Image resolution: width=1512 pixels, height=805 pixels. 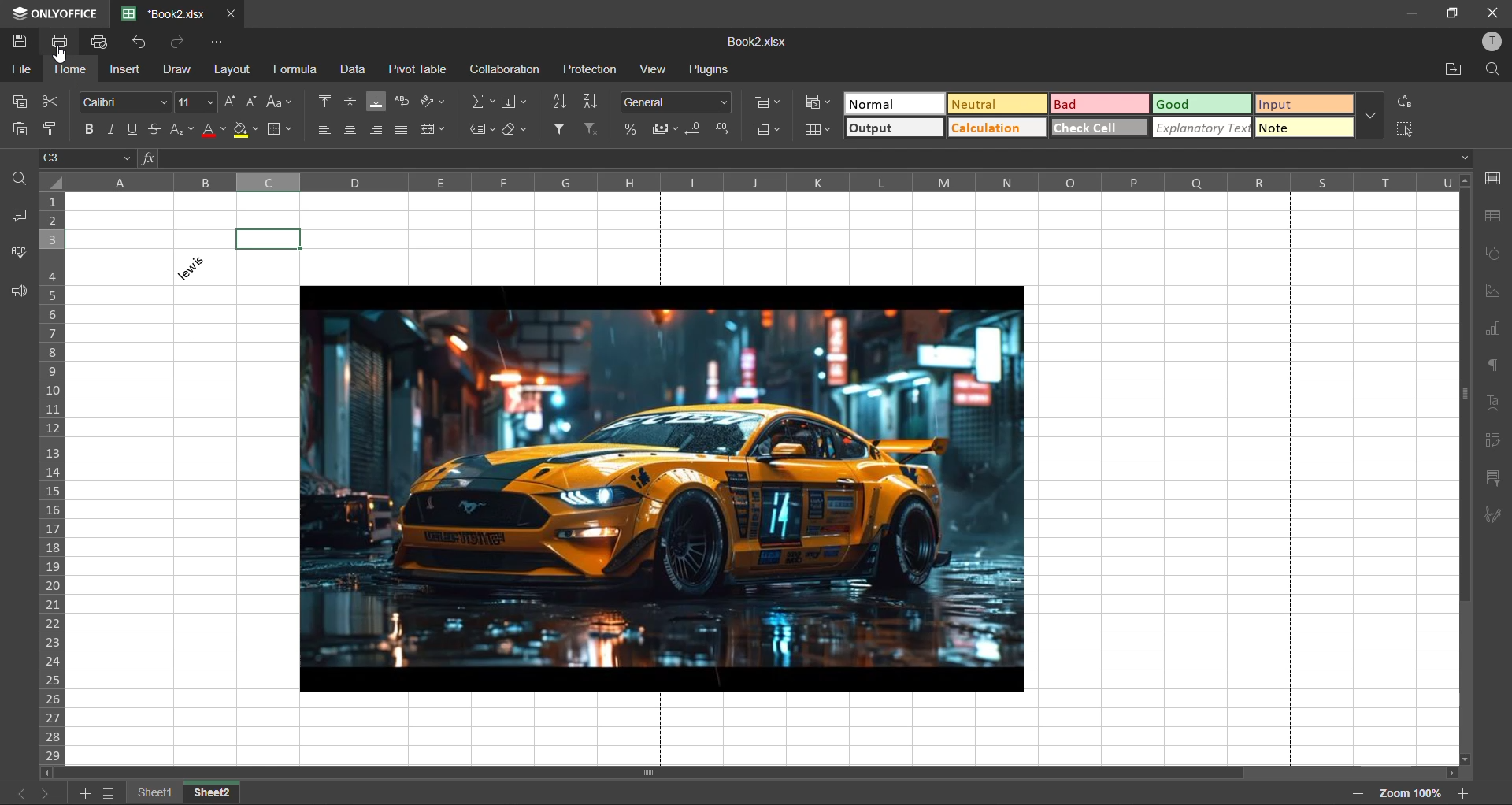 What do you see at coordinates (178, 43) in the screenshot?
I see `redo` at bounding box center [178, 43].